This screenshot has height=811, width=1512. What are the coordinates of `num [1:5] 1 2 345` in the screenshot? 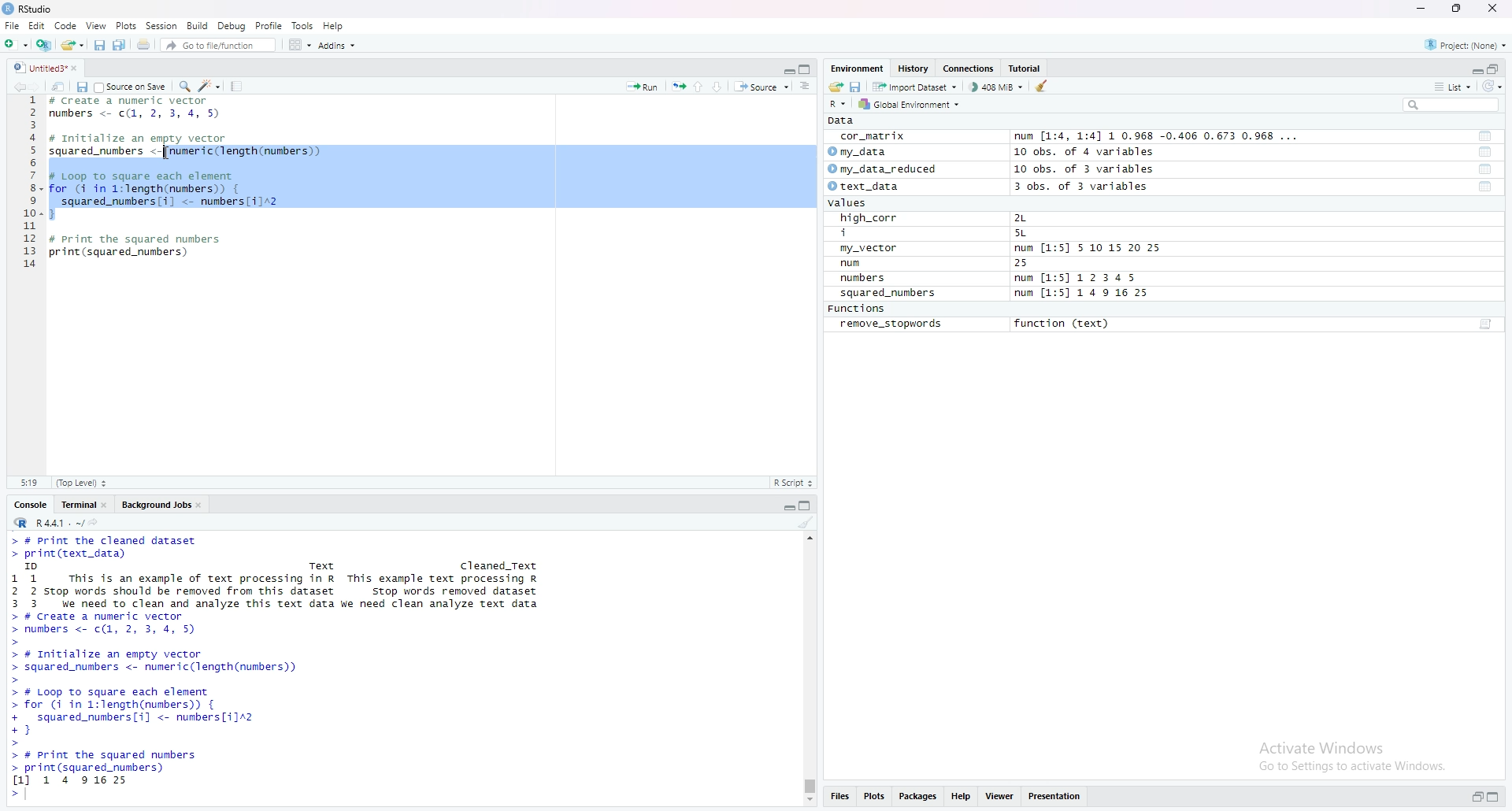 It's located at (1080, 279).